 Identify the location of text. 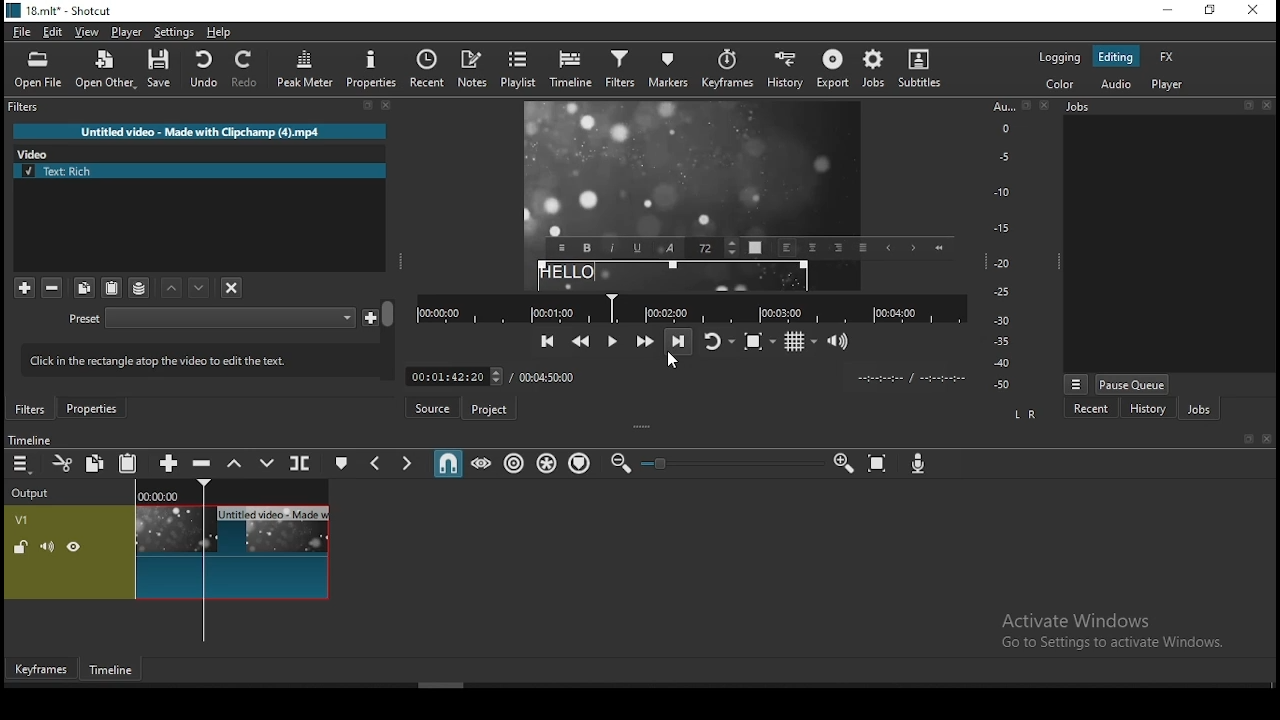
(673, 276).